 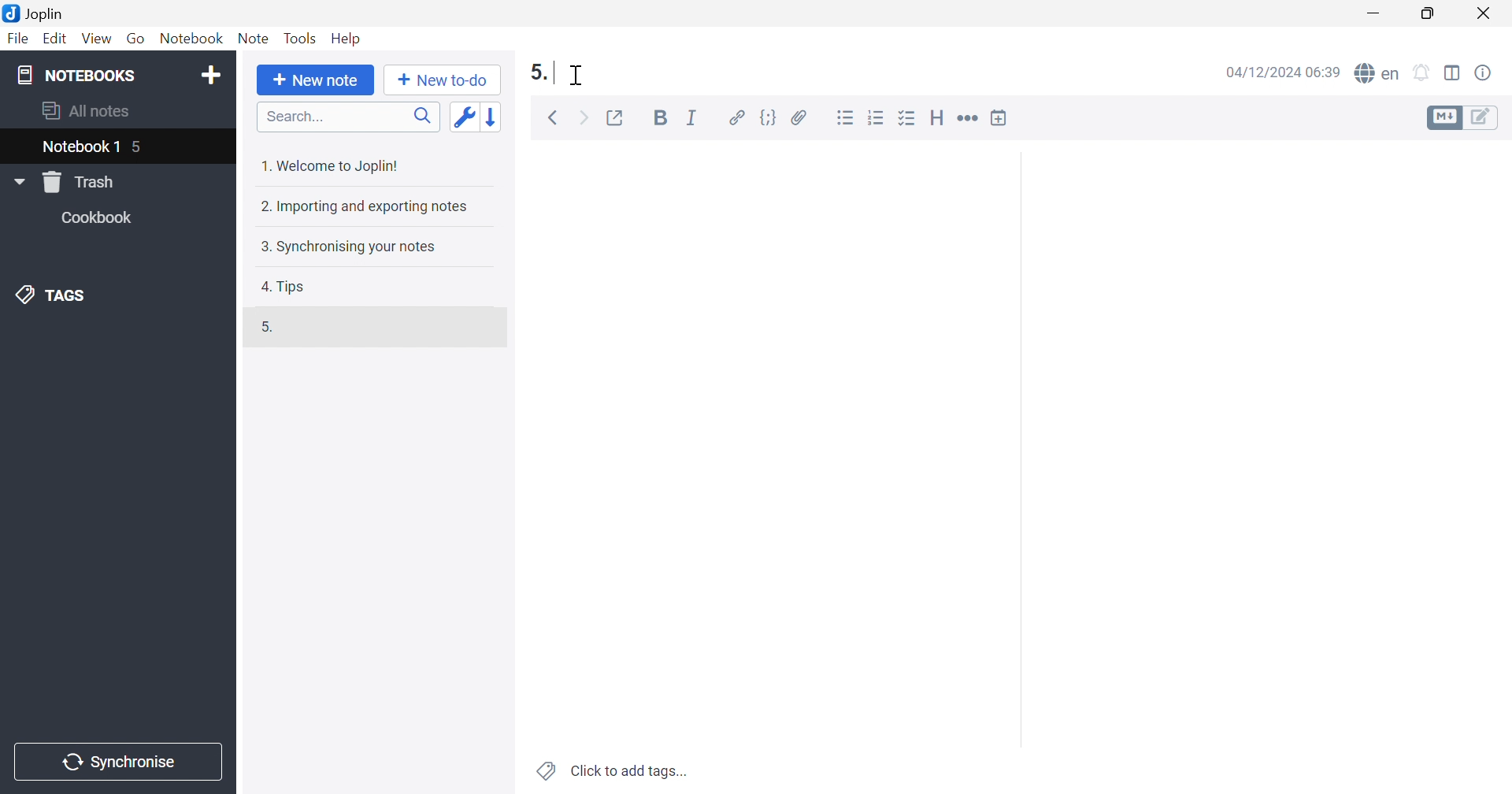 What do you see at coordinates (621, 119) in the screenshot?
I see `Toggle external editing` at bounding box center [621, 119].